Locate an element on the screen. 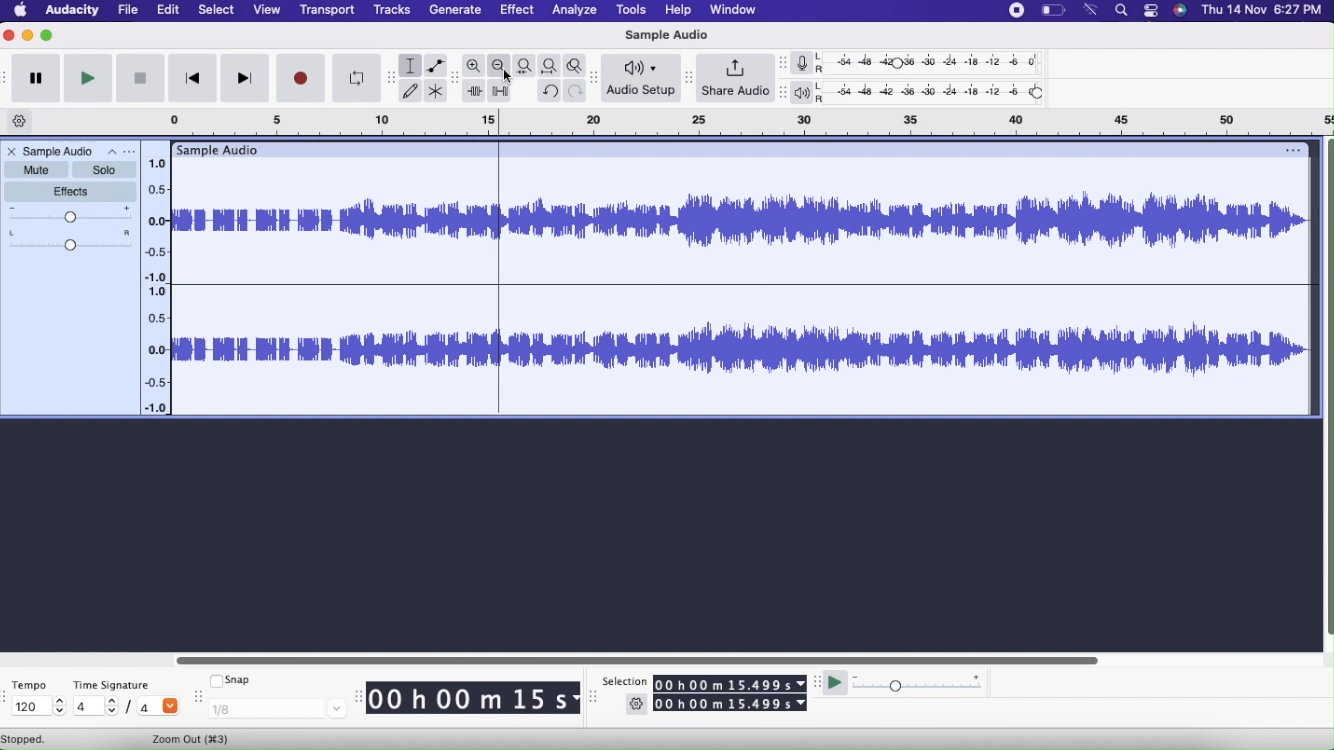  Sample Audio is located at coordinates (60, 151).